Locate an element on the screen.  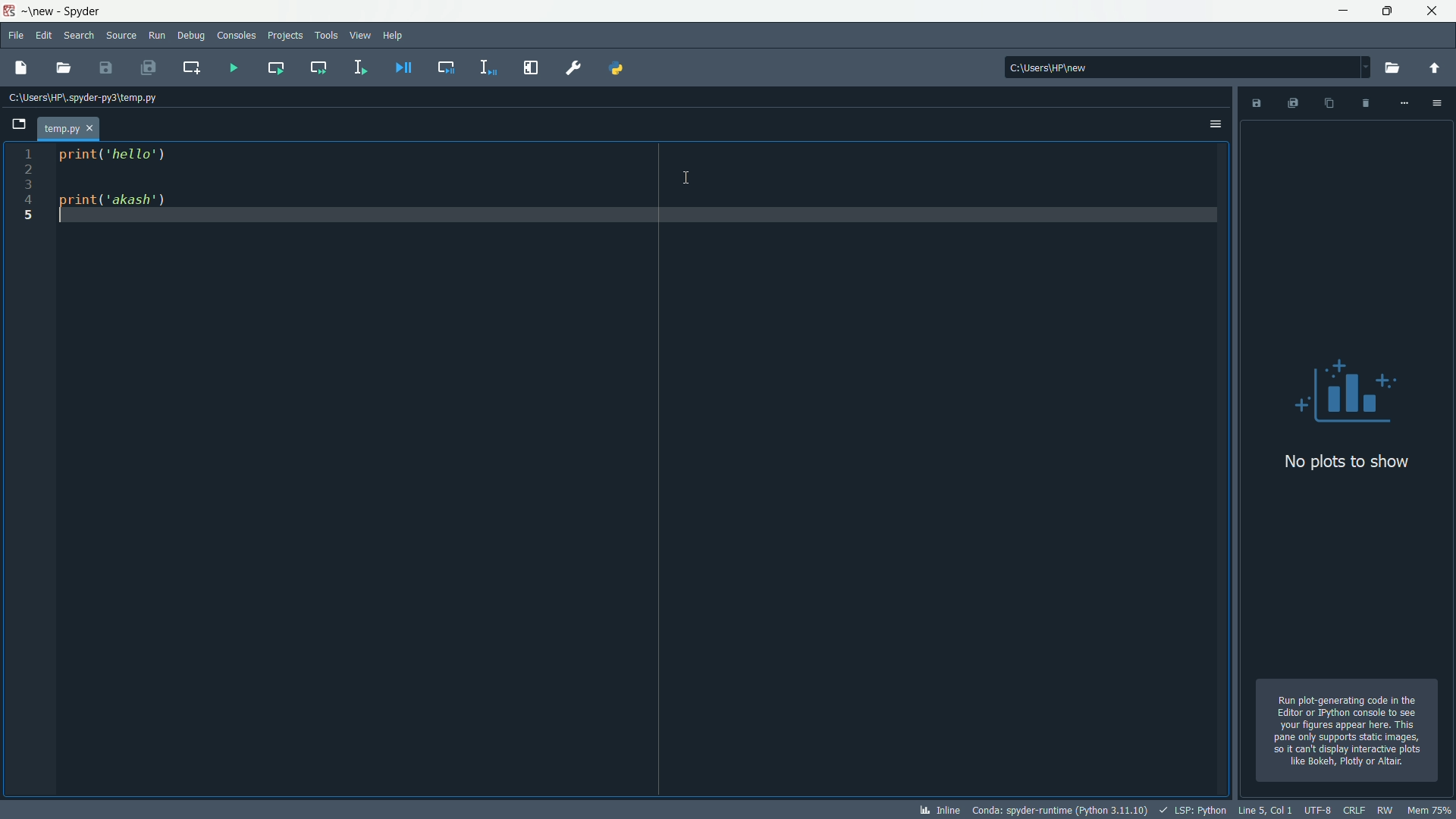
PYTHONPATH manager is located at coordinates (616, 70).